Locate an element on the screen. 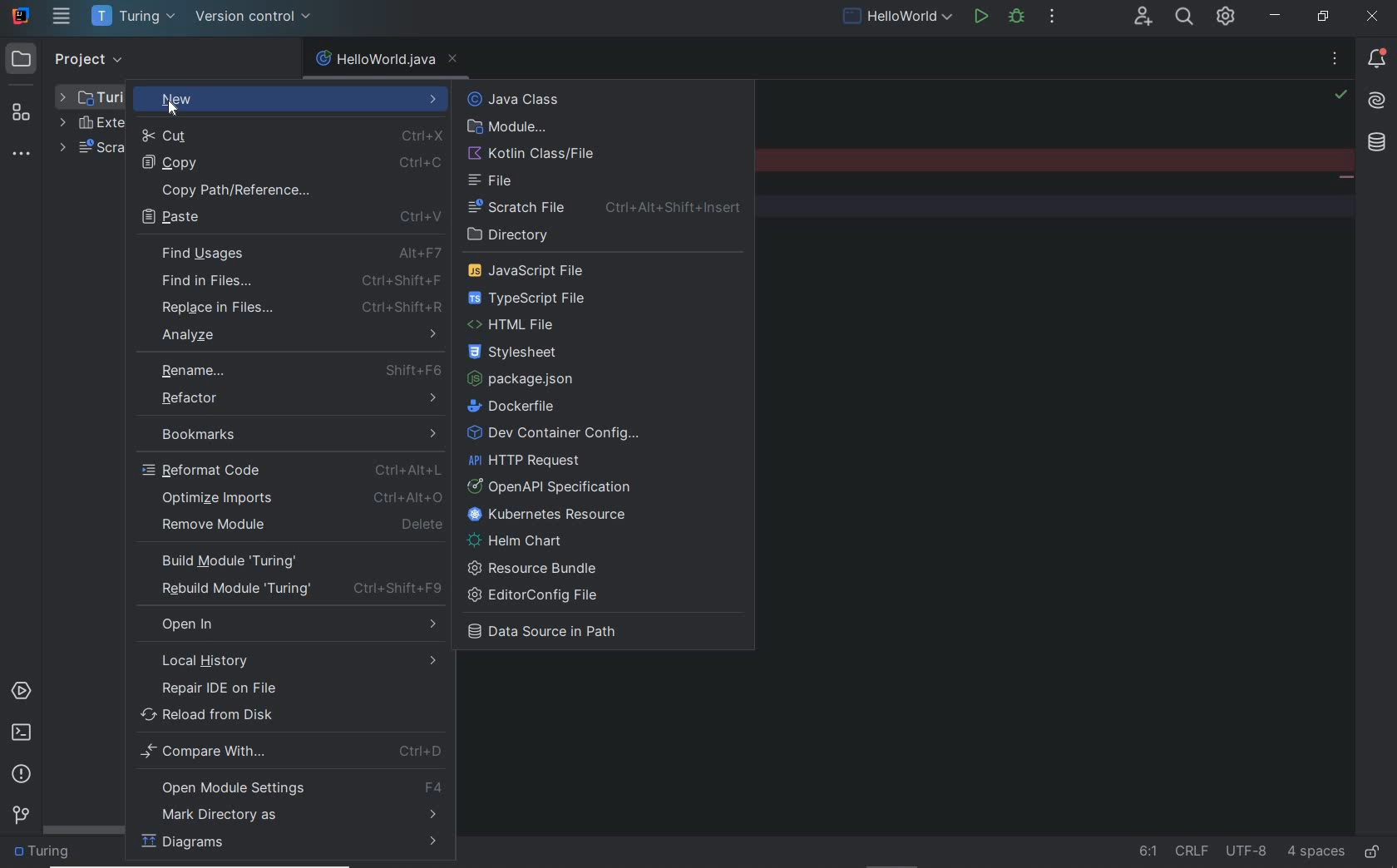 The height and width of the screenshot is (868, 1397). IDE and Project settings is located at coordinates (1227, 18).